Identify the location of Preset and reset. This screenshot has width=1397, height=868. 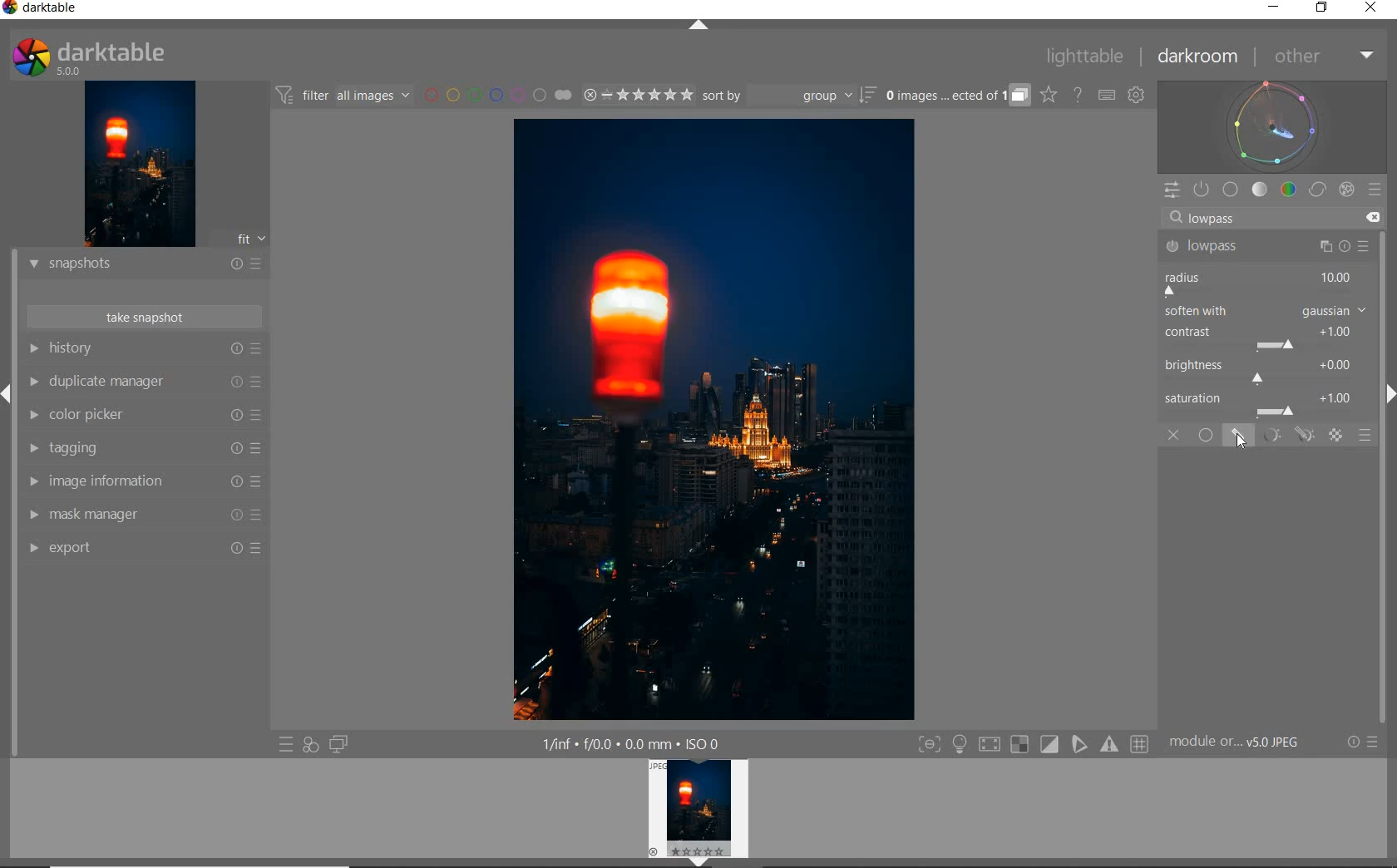
(265, 263).